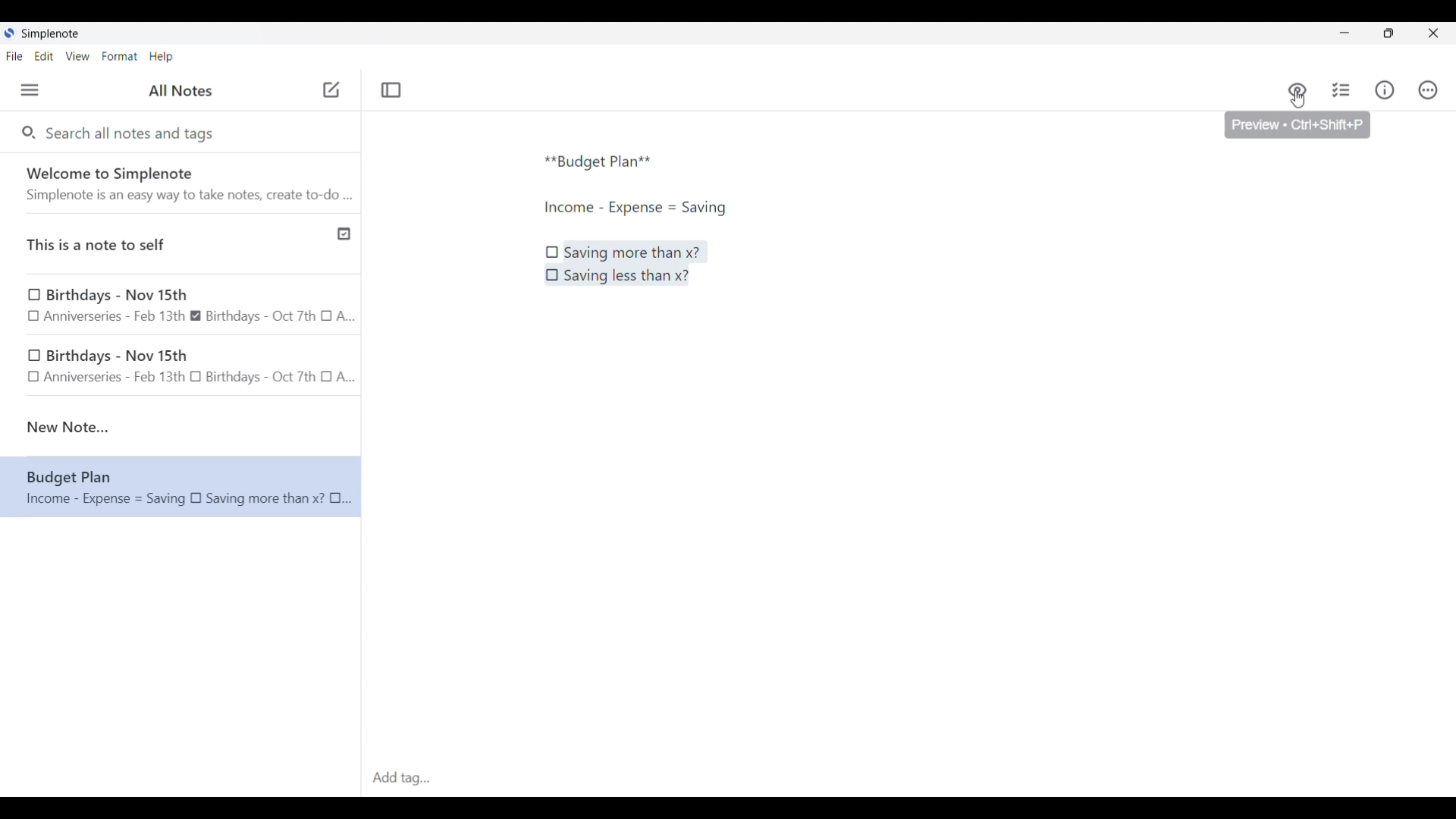 This screenshot has width=1456, height=819. Describe the element at coordinates (30, 89) in the screenshot. I see `Menu` at that location.